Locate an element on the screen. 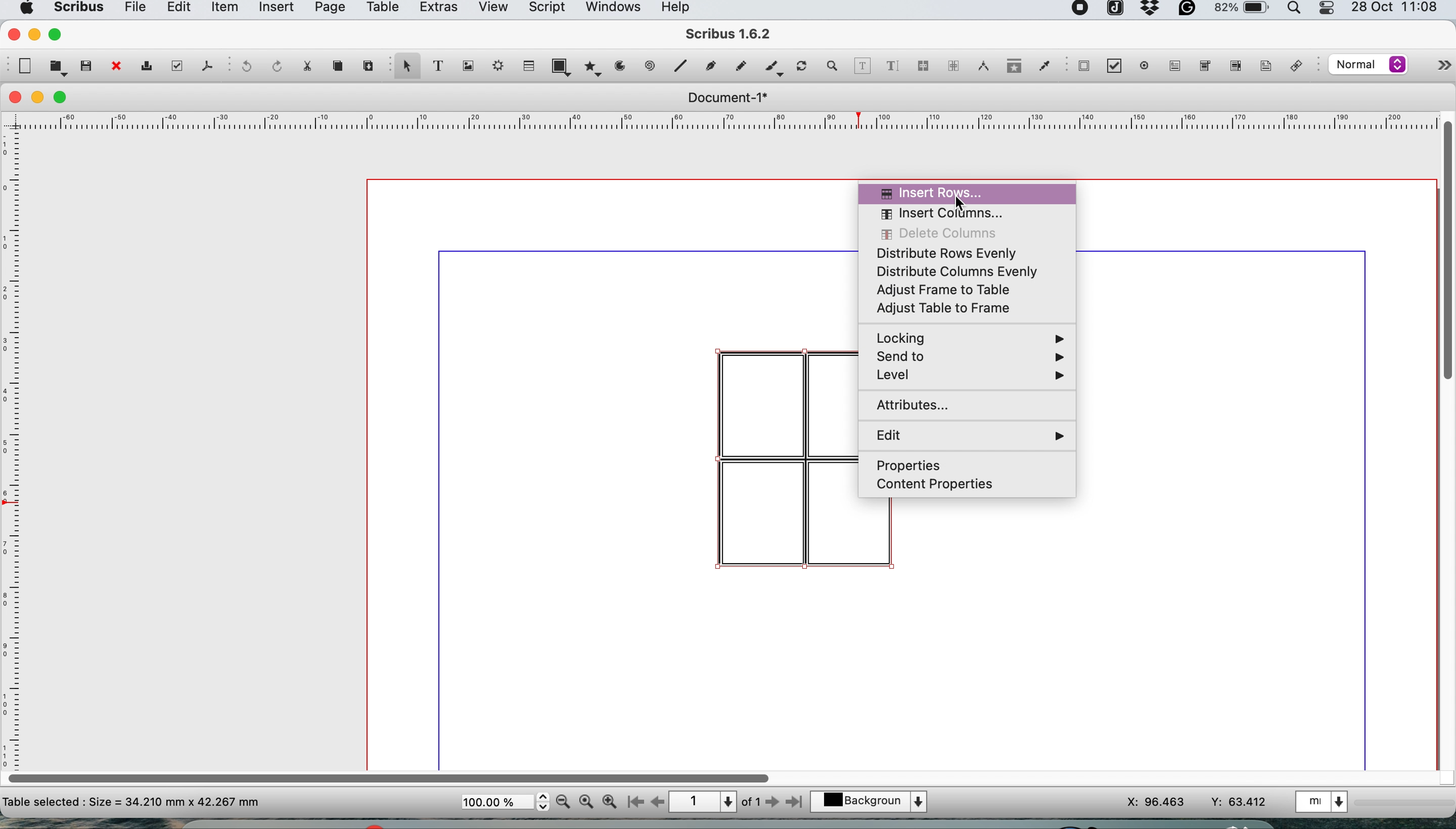  edit contents of frame is located at coordinates (862, 65).